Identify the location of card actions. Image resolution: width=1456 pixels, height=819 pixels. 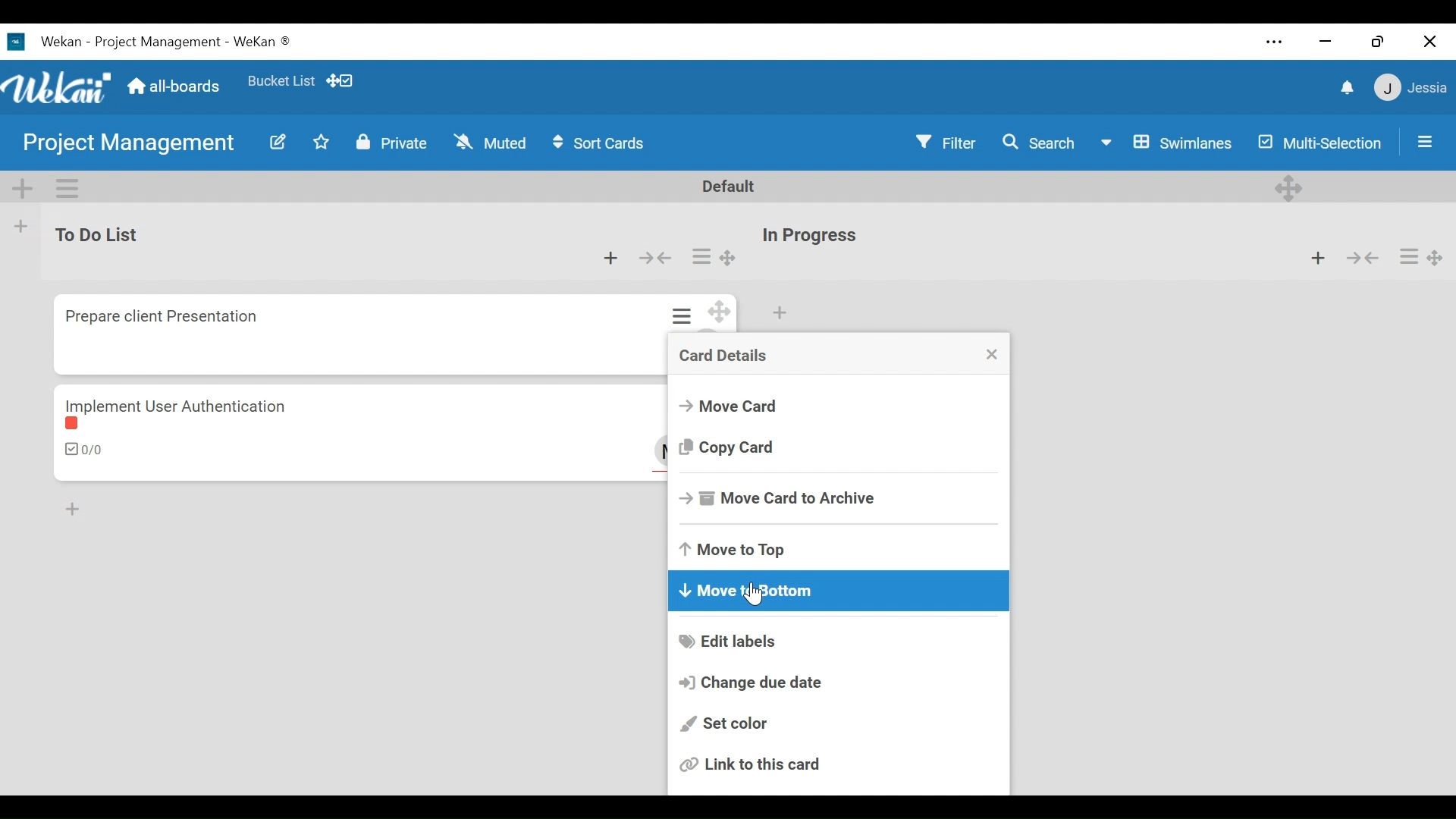
(684, 315).